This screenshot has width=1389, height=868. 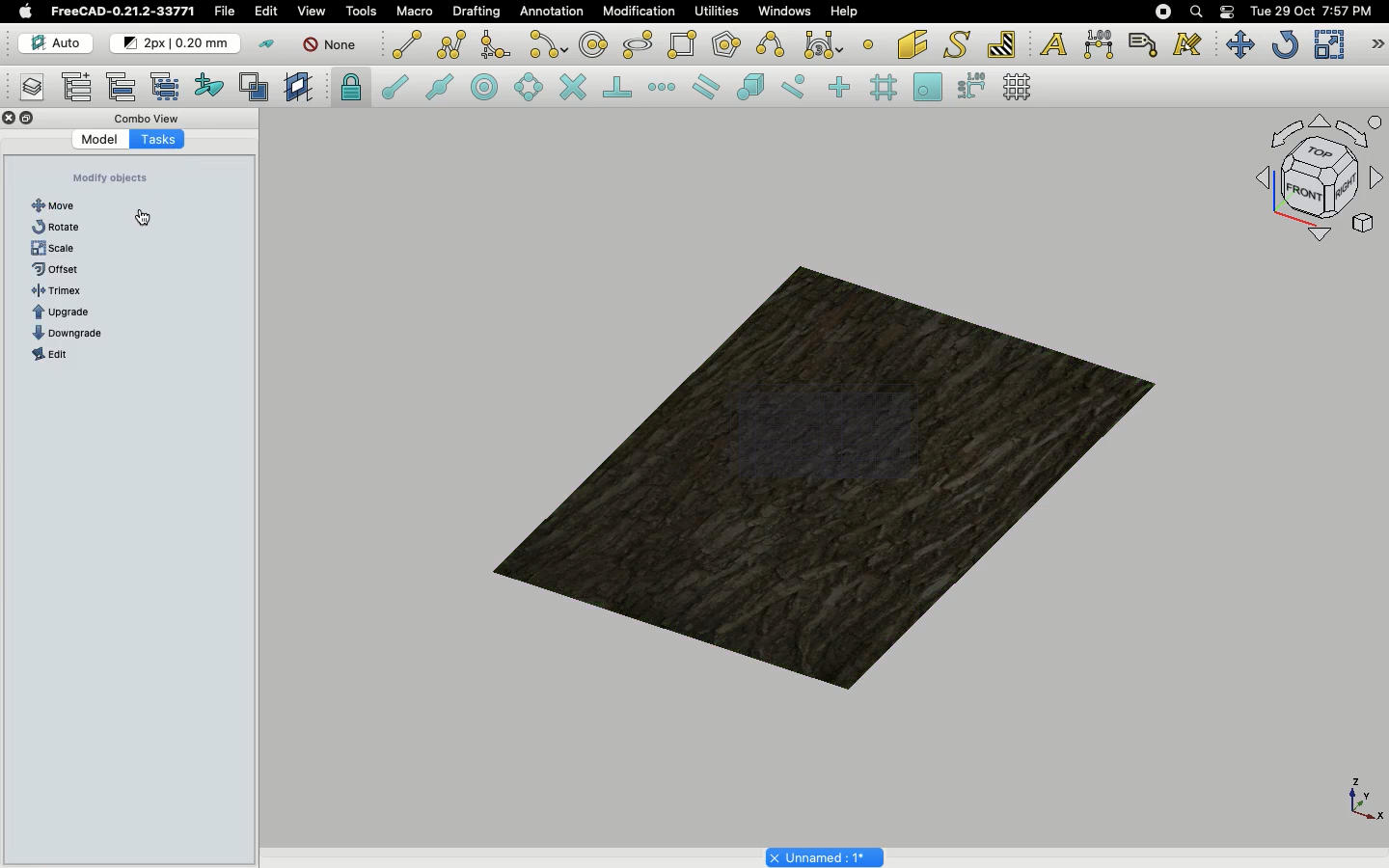 What do you see at coordinates (1229, 11) in the screenshot?
I see `Notification` at bounding box center [1229, 11].